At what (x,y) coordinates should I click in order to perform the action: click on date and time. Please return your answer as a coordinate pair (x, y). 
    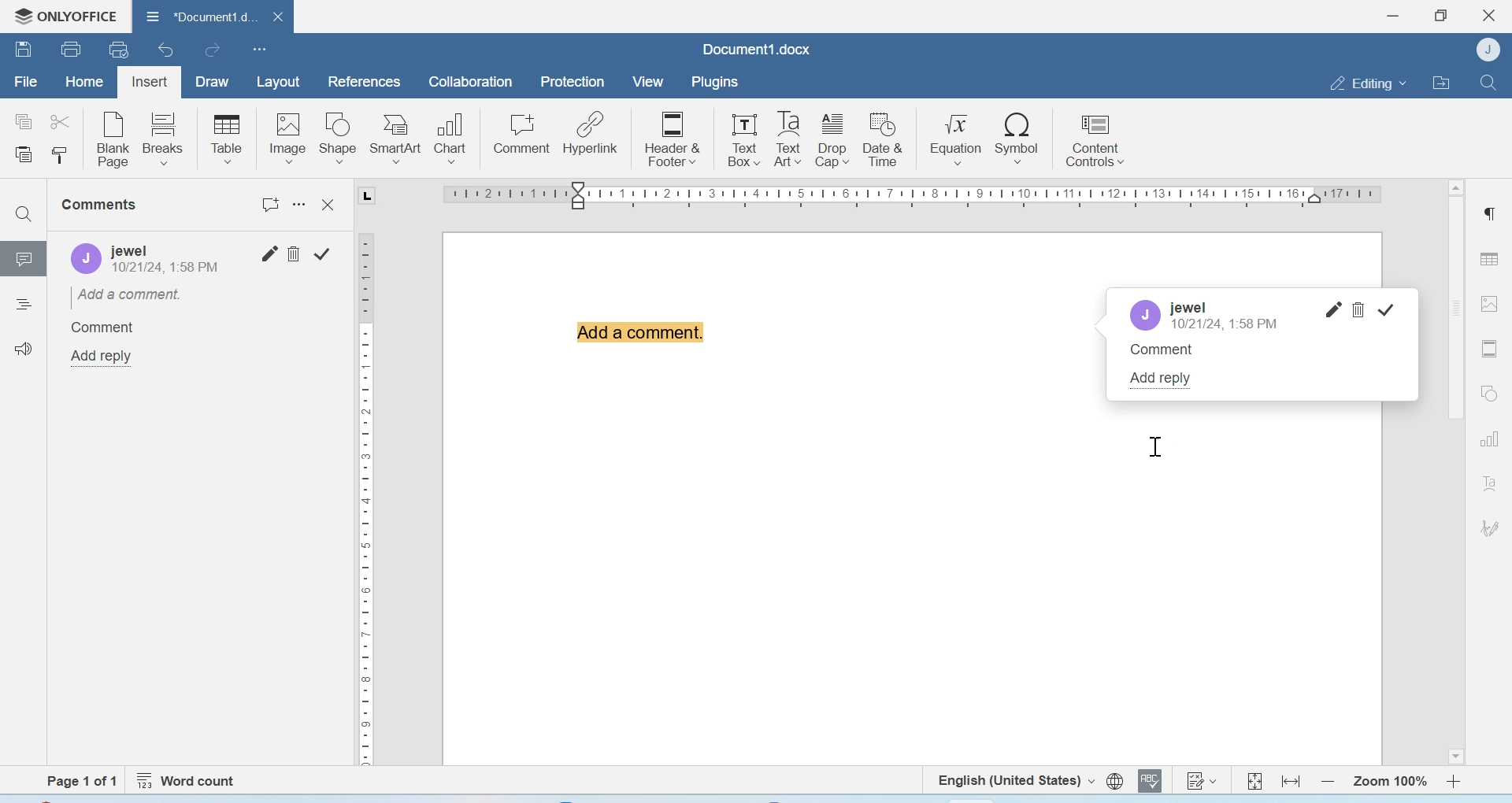
    Looking at the image, I should click on (168, 270).